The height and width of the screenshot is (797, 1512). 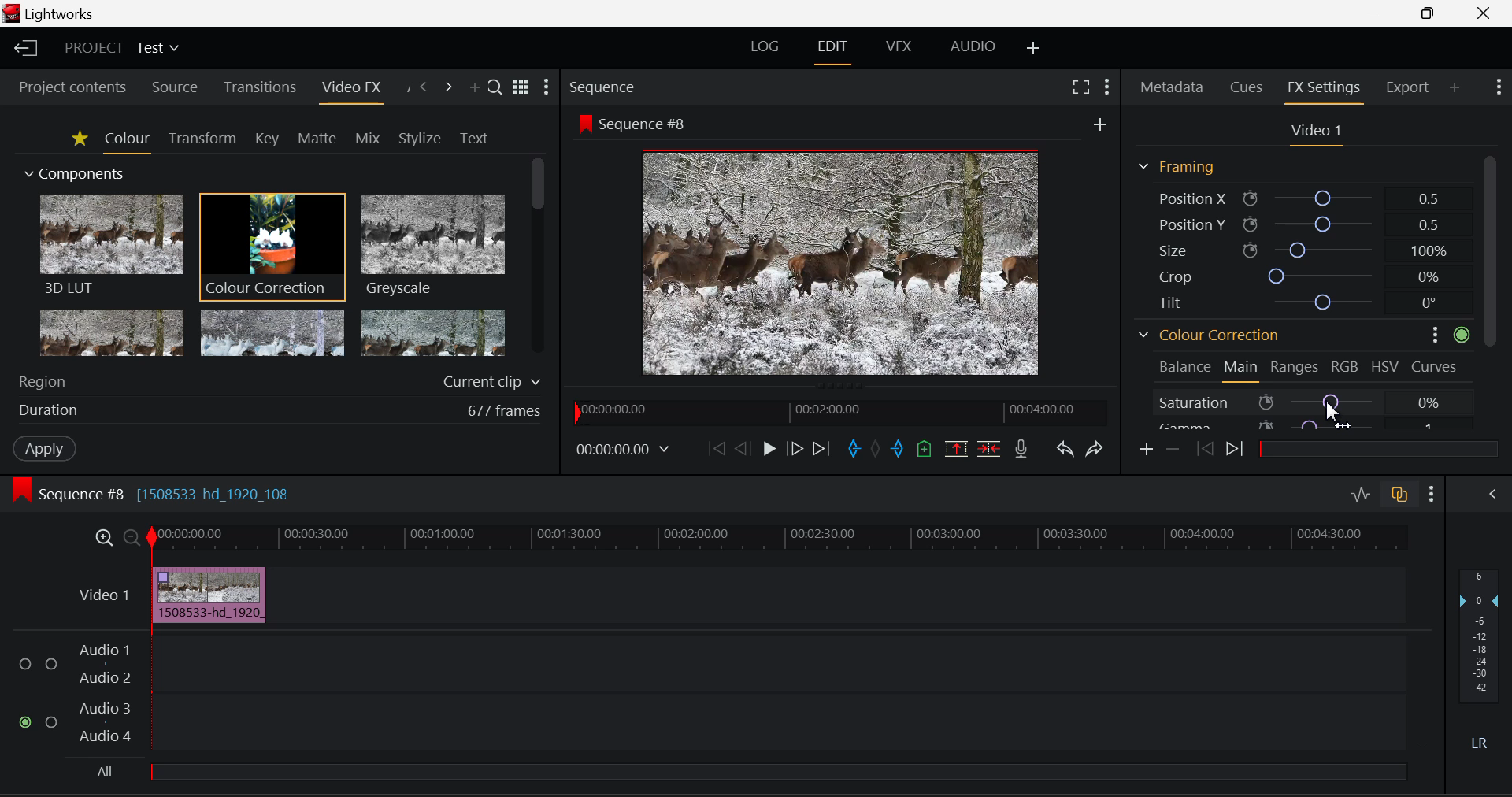 I want to click on Components, so click(x=76, y=175).